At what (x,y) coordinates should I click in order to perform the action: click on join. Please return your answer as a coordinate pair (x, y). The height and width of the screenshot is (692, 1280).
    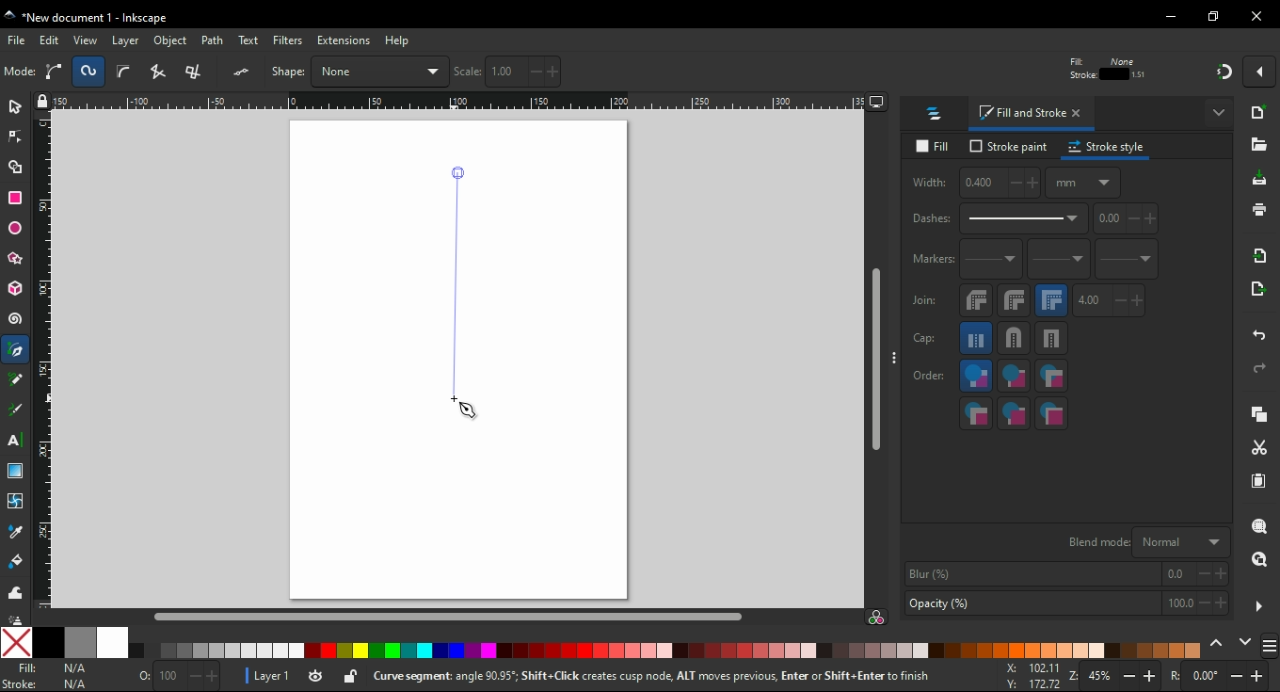
    Looking at the image, I should click on (924, 300).